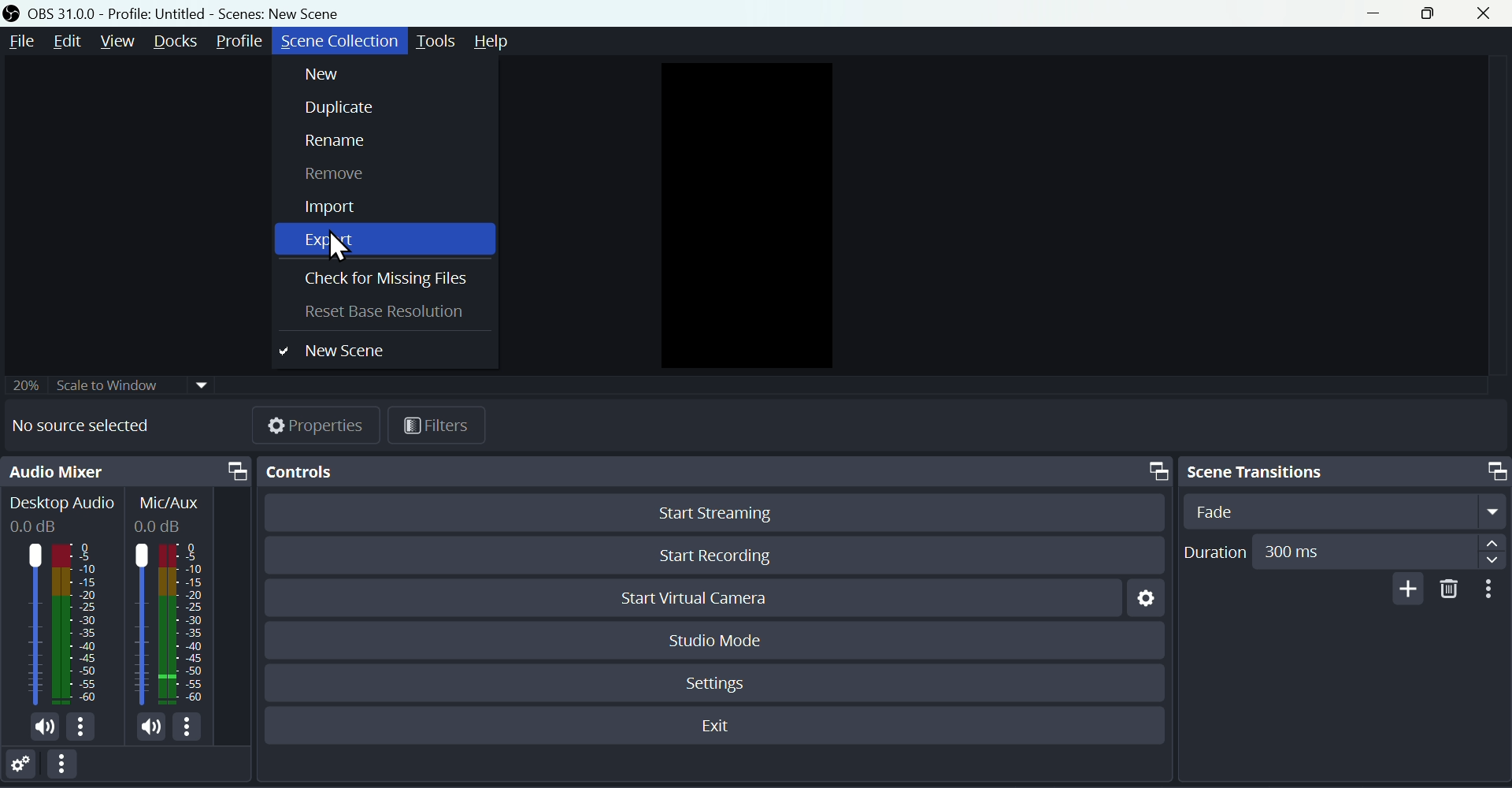  What do you see at coordinates (339, 207) in the screenshot?
I see `import` at bounding box center [339, 207].